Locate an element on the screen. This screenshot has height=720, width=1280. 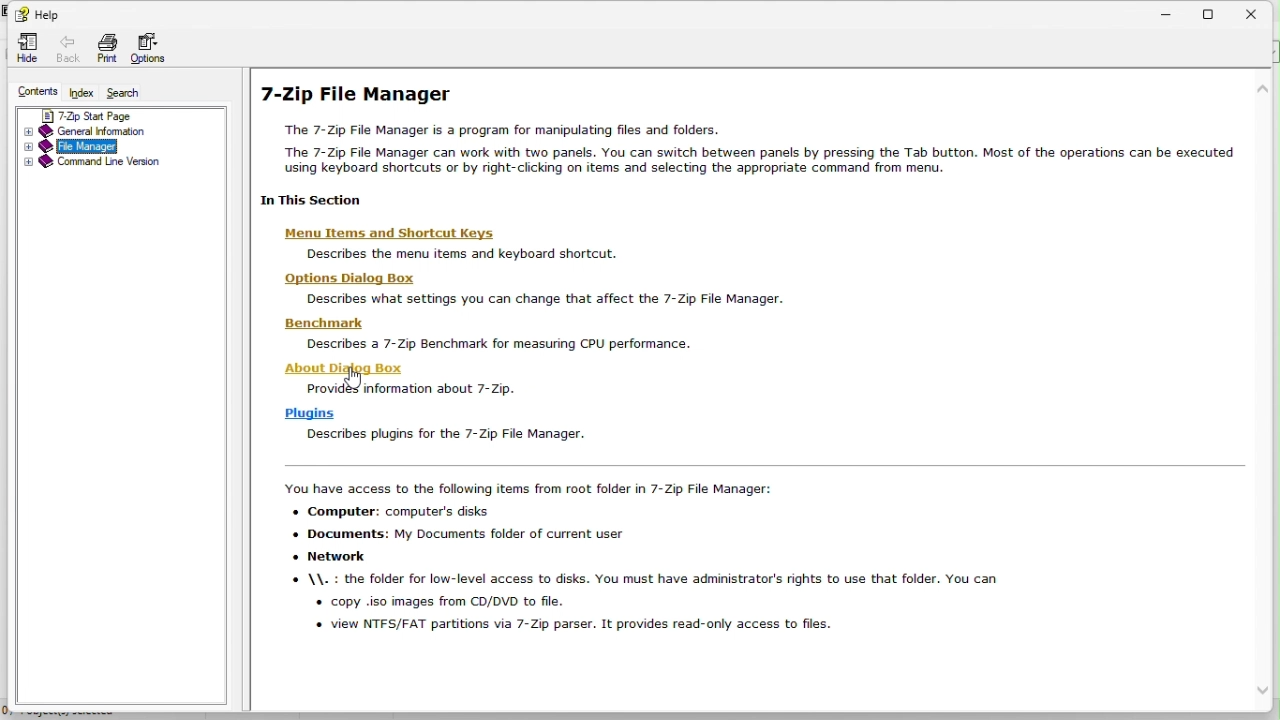
Benchmark is located at coordinates (323, 325).